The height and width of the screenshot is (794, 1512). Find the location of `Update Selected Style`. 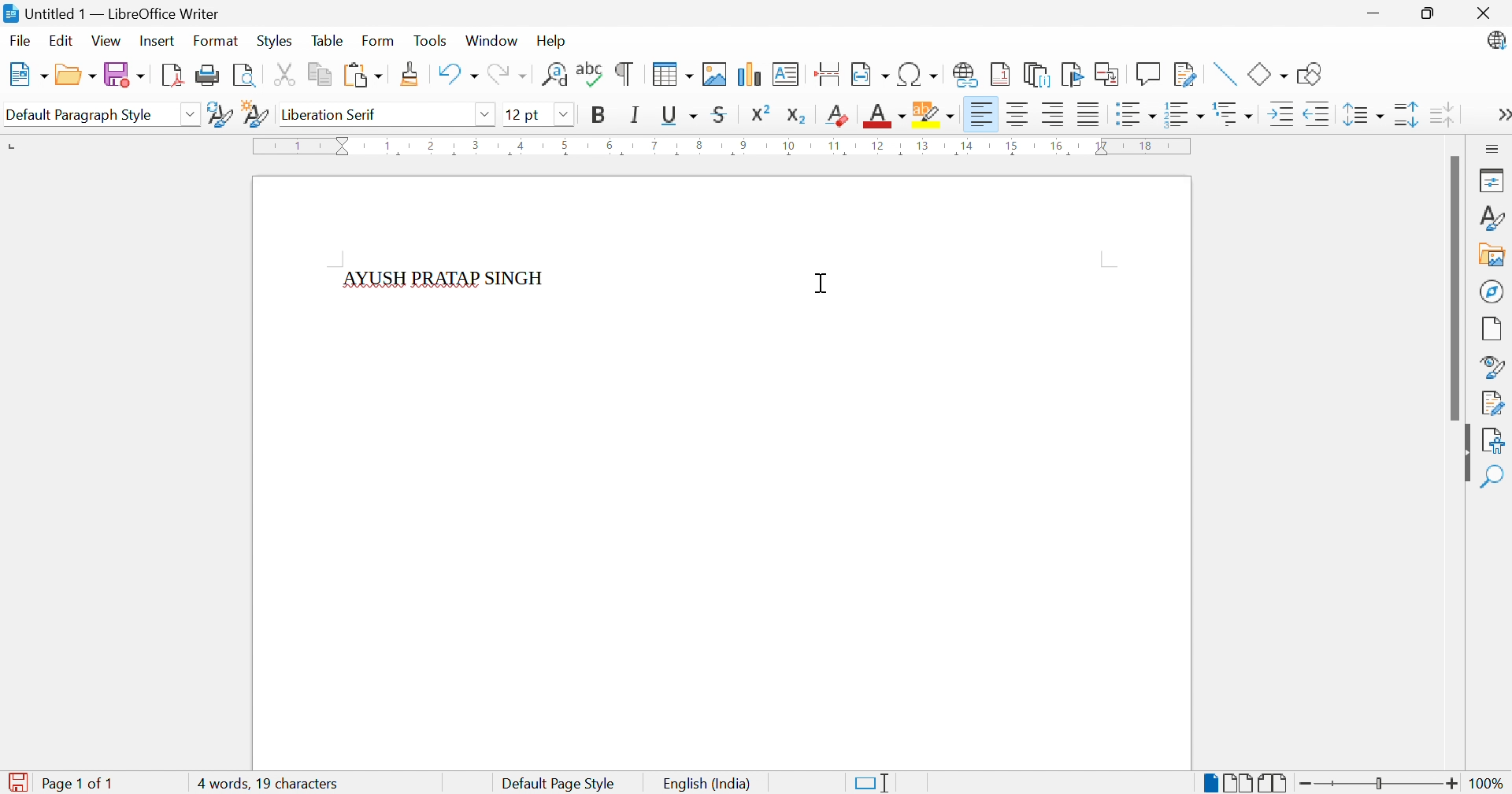

Update Selected Style is located at coordinates (220, 114).